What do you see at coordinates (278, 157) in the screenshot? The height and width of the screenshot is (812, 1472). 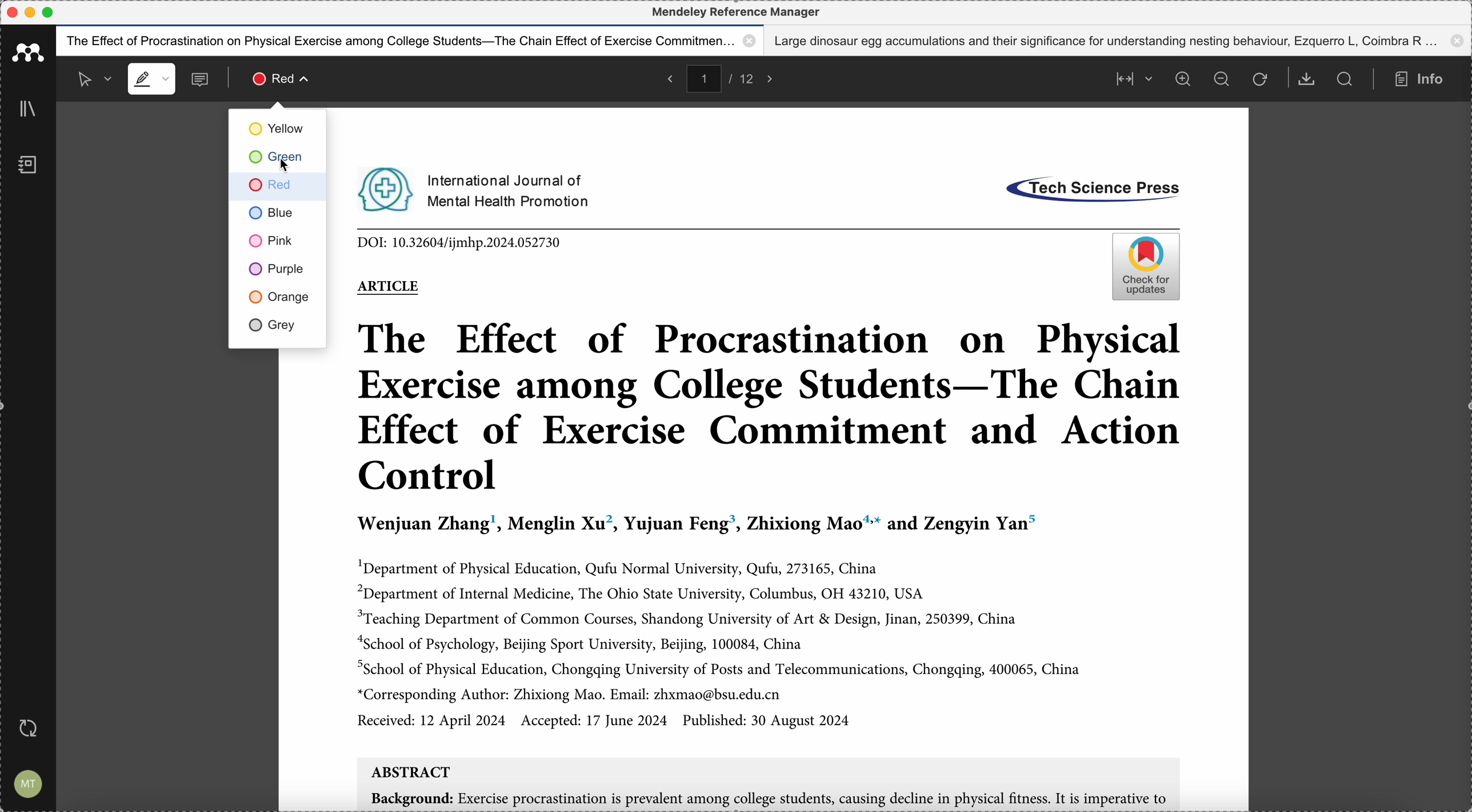 I see `click on green` at bounding box center [278, 157].